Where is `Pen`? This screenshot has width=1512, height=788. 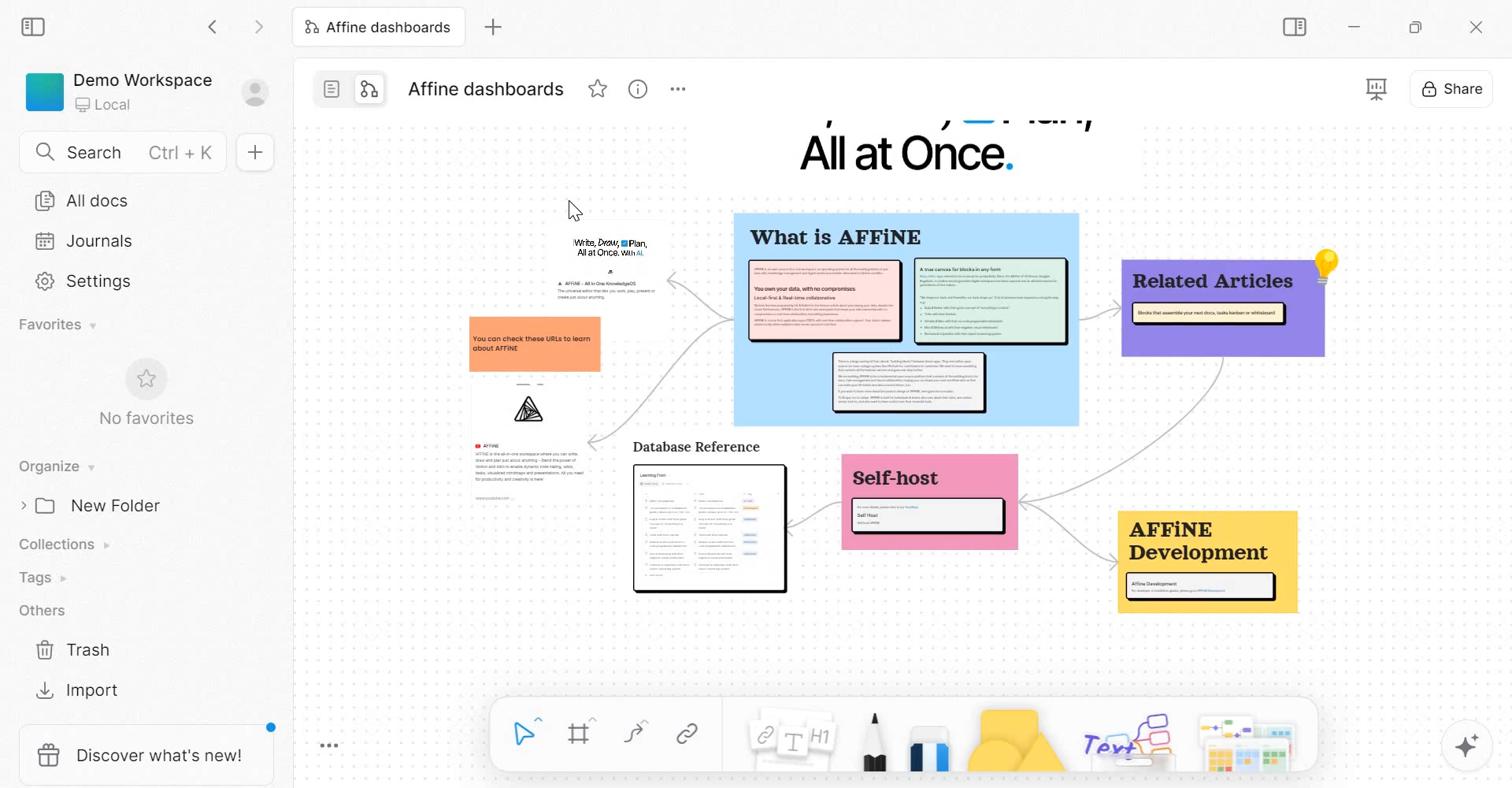
Pen is located at coordinates (873, 743).